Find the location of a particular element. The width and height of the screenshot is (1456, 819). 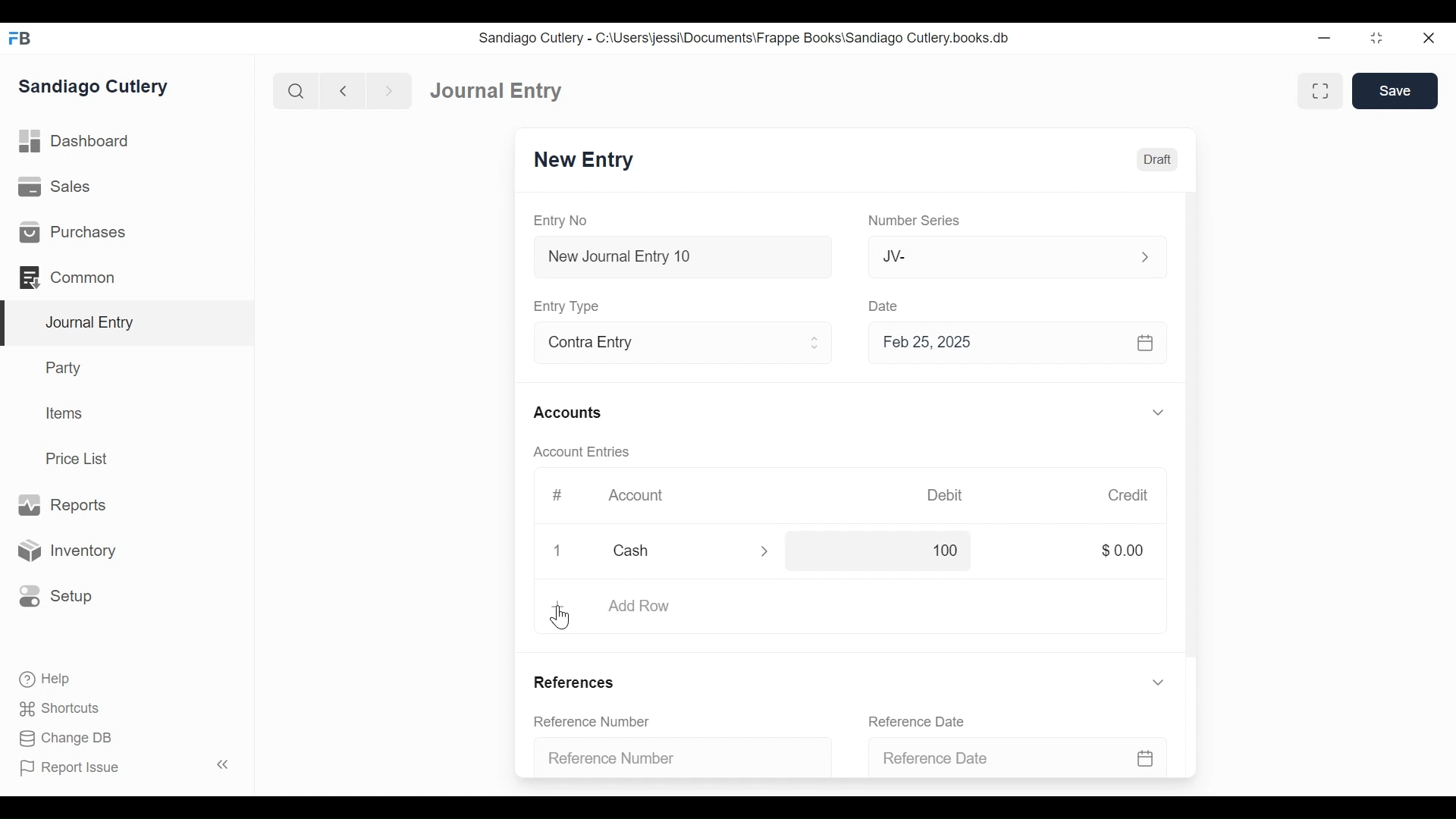

Cash is located at coordinates (676, 550).